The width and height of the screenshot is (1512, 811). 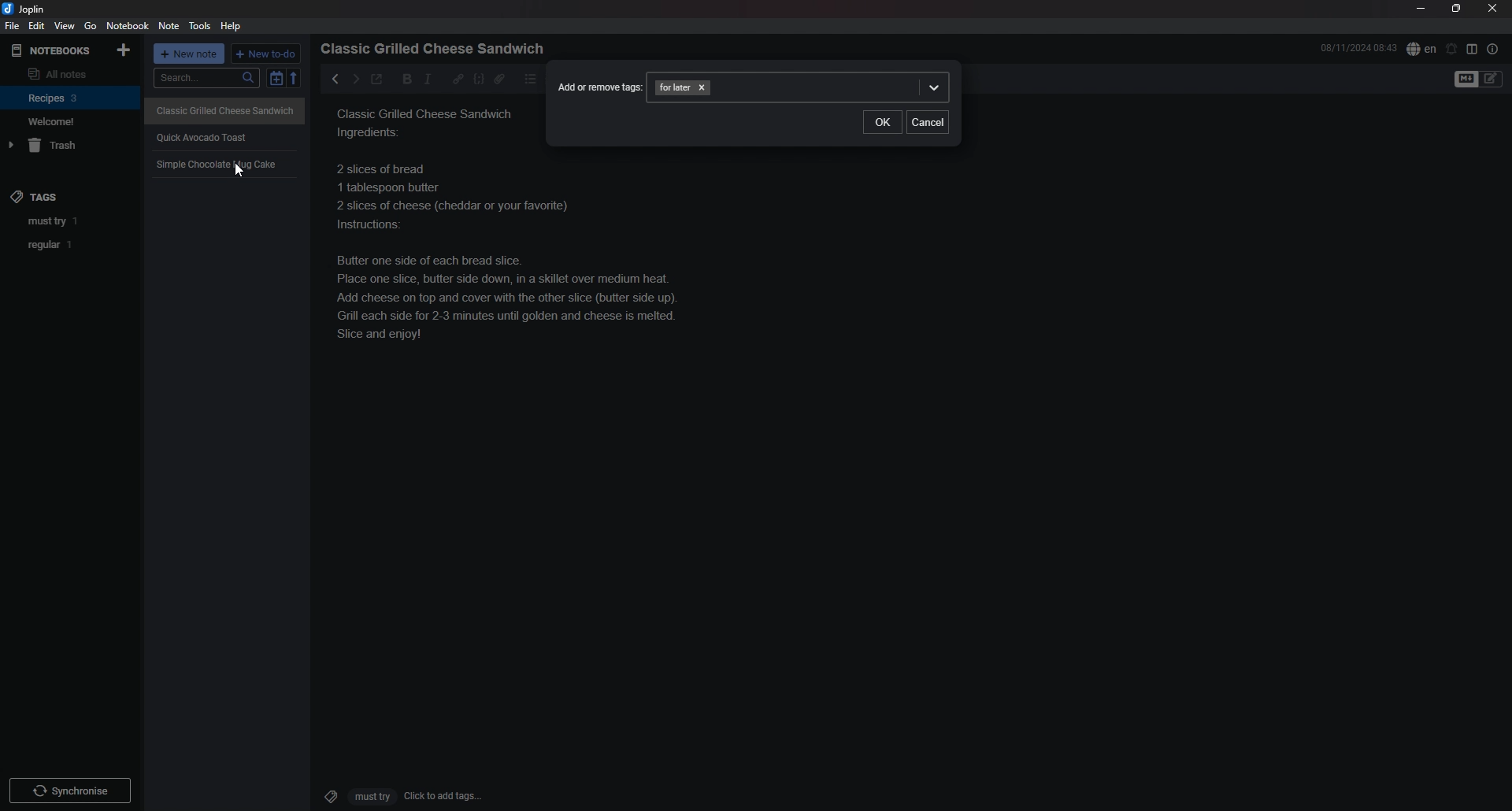 I want to click on note, so click(x=169, y=27).